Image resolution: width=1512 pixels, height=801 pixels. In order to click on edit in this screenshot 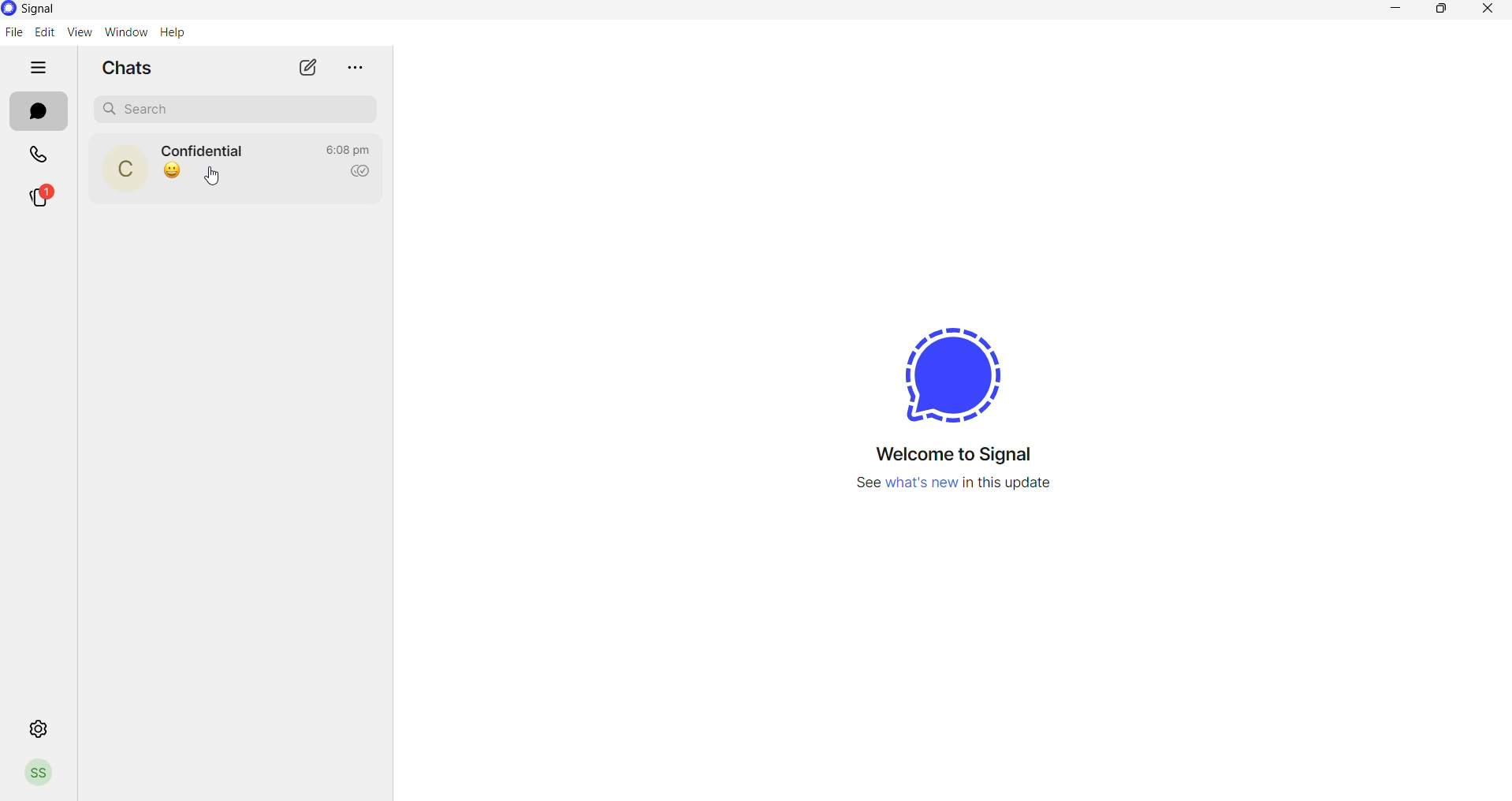, I will do `click(43, 32)`.